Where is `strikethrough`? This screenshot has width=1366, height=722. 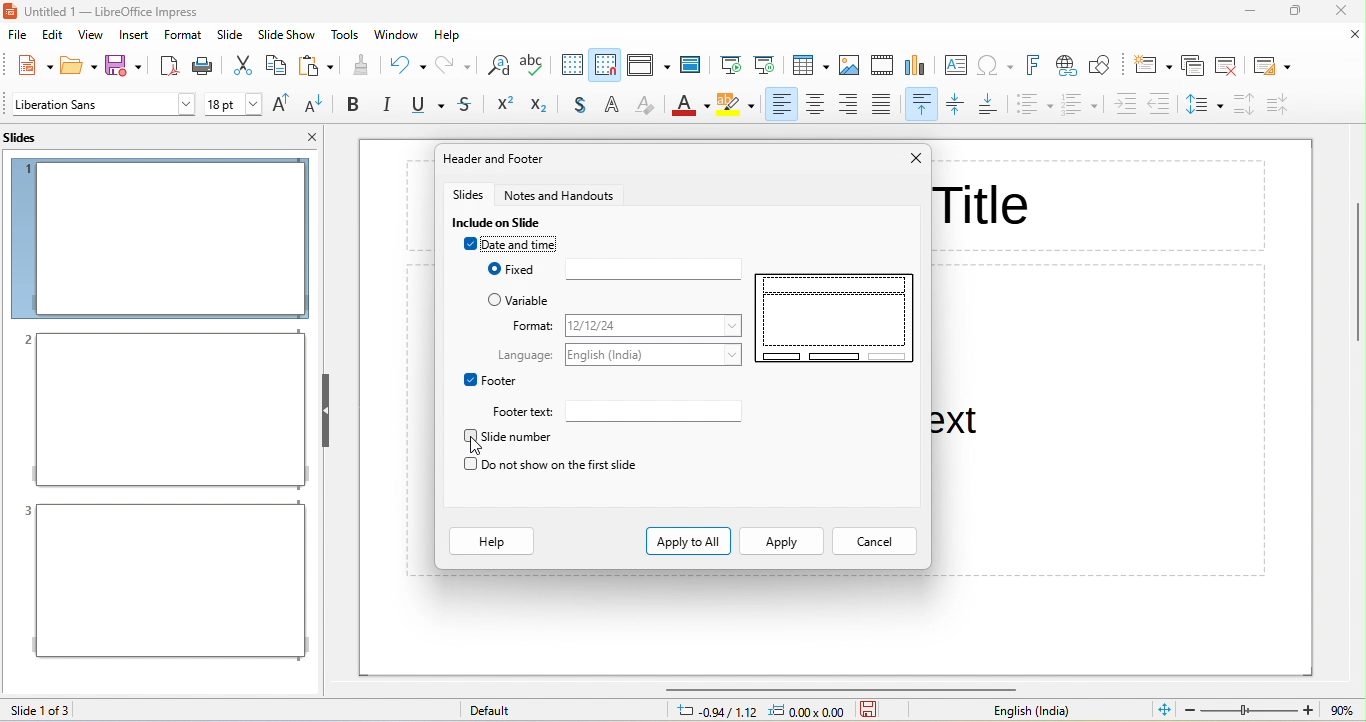
strikethrough is located at coordinates (467, 106).